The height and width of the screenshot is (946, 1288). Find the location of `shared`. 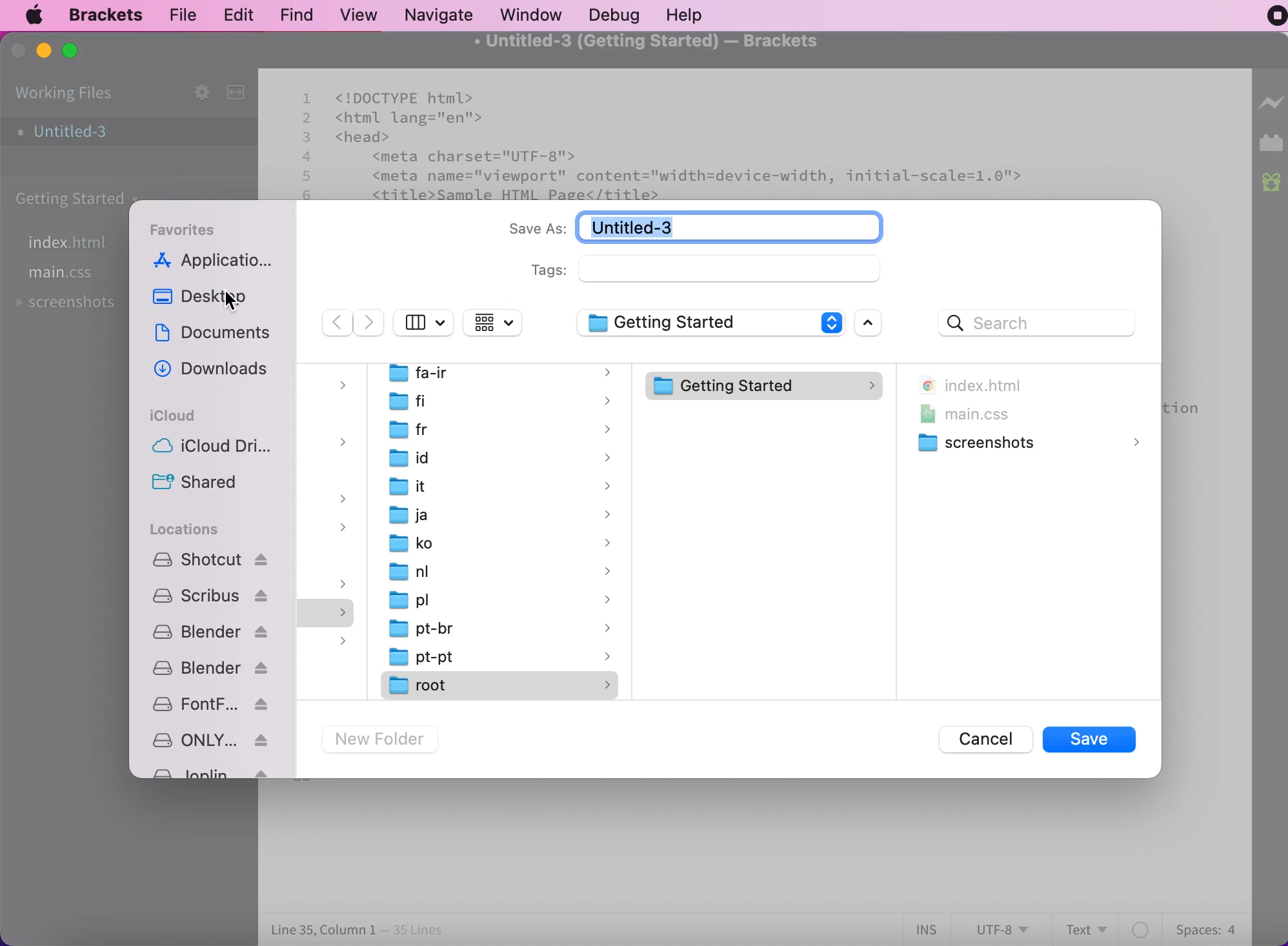

shared is located at coordinates (202, 483).